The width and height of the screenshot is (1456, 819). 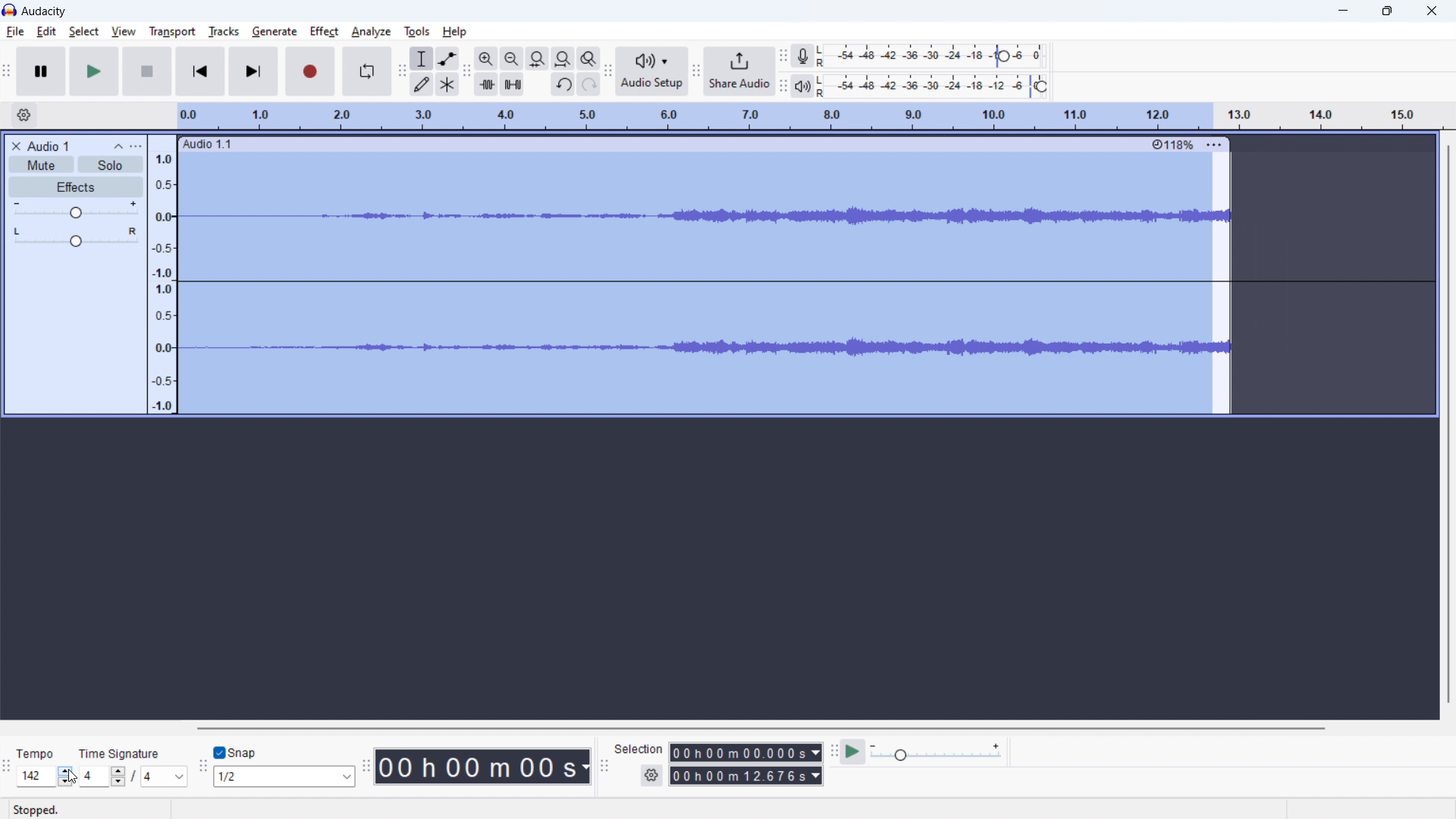 What do you see at coordinates (448, 83) in the screenshot?
I see `multi tool` at bounding box center [448, 83].